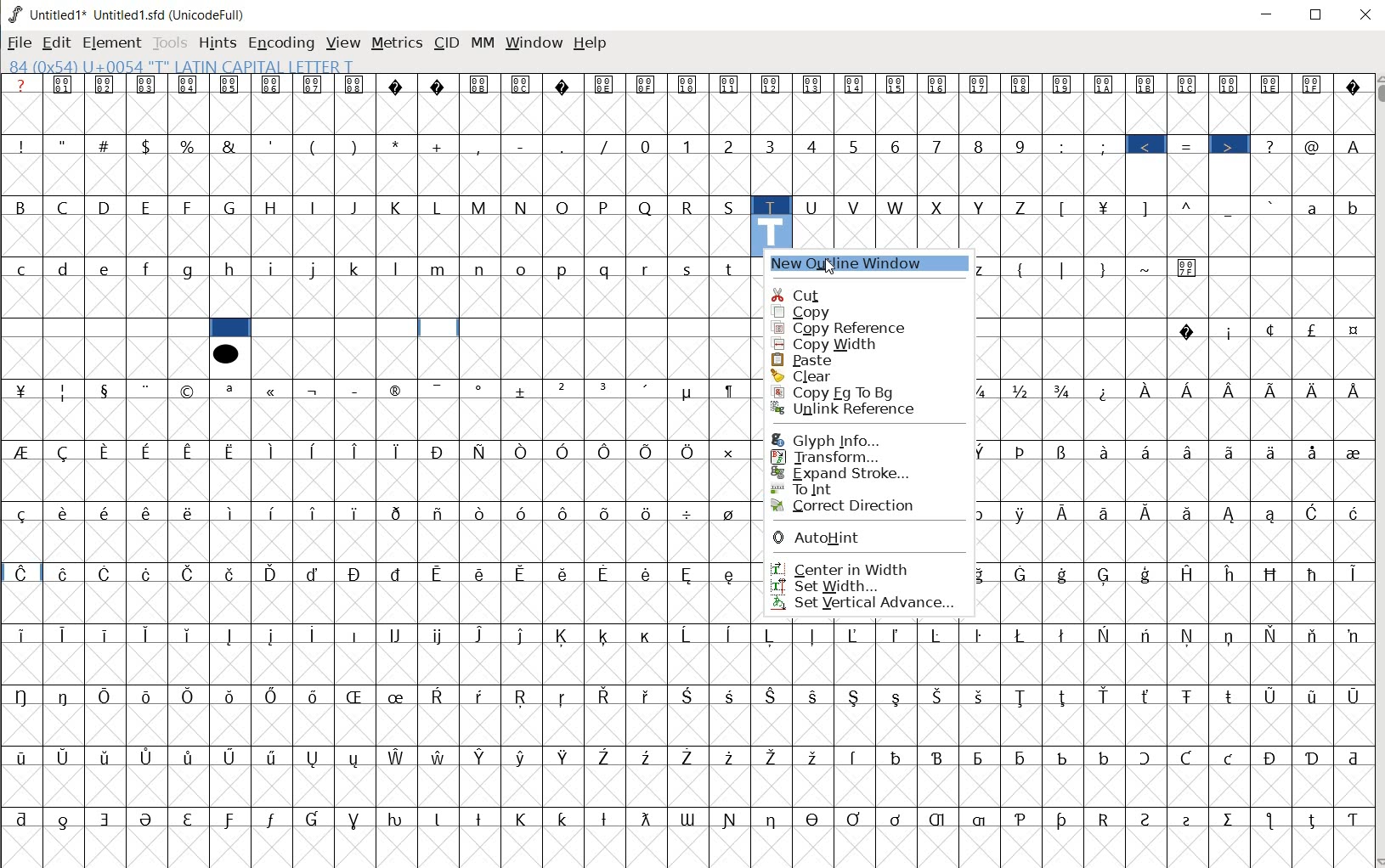  Describe the element at coordinates (1350, 758) in the screenshot. I see `Symbol` at that location.